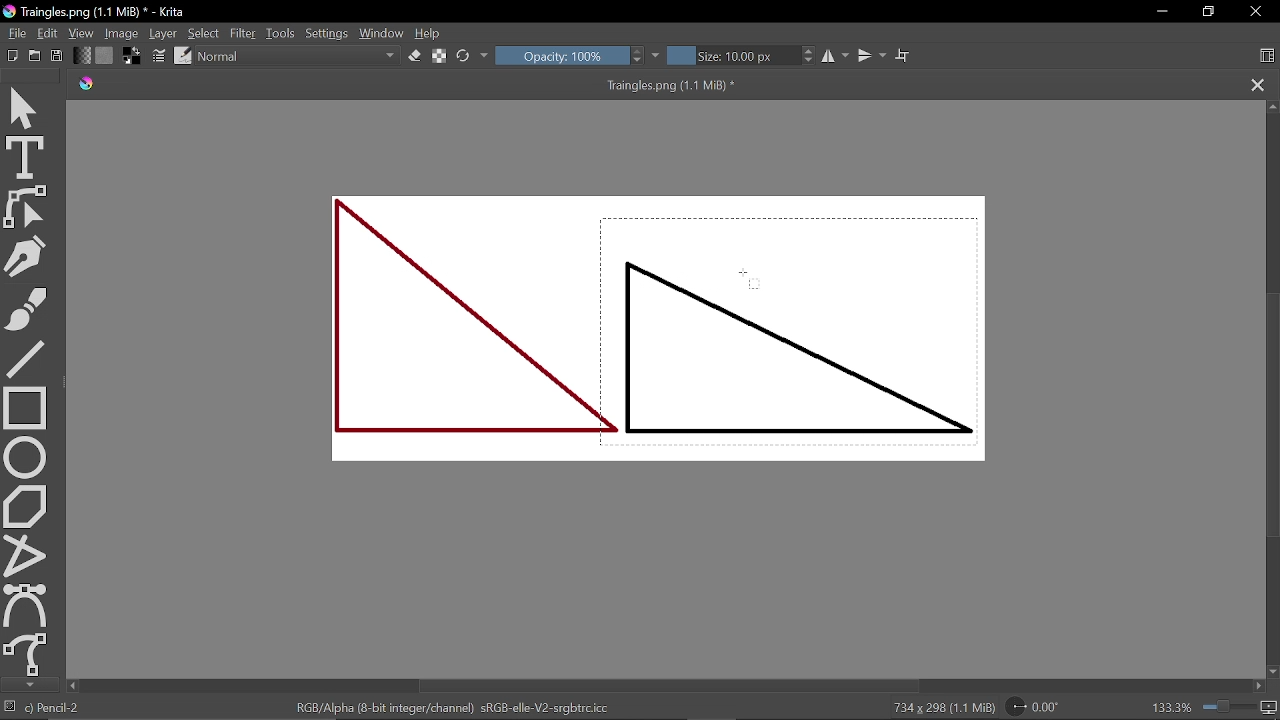  What do you see at coordinates (50, 33) in the screenshot?
I see `Edit` at bounding box center [50, 33].